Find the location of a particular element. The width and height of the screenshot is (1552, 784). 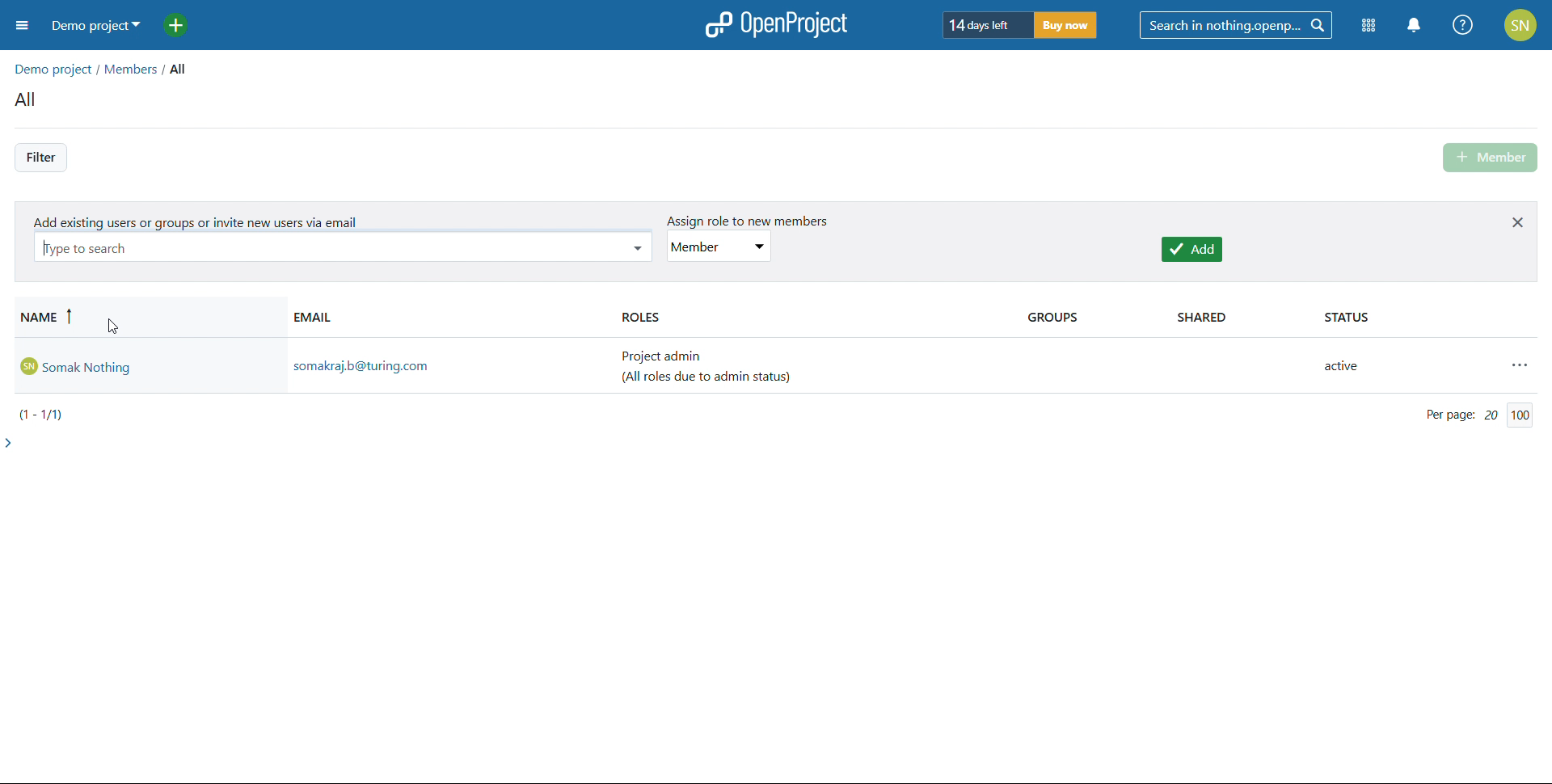

(1-1/1) is located at coordinates (46, 414).